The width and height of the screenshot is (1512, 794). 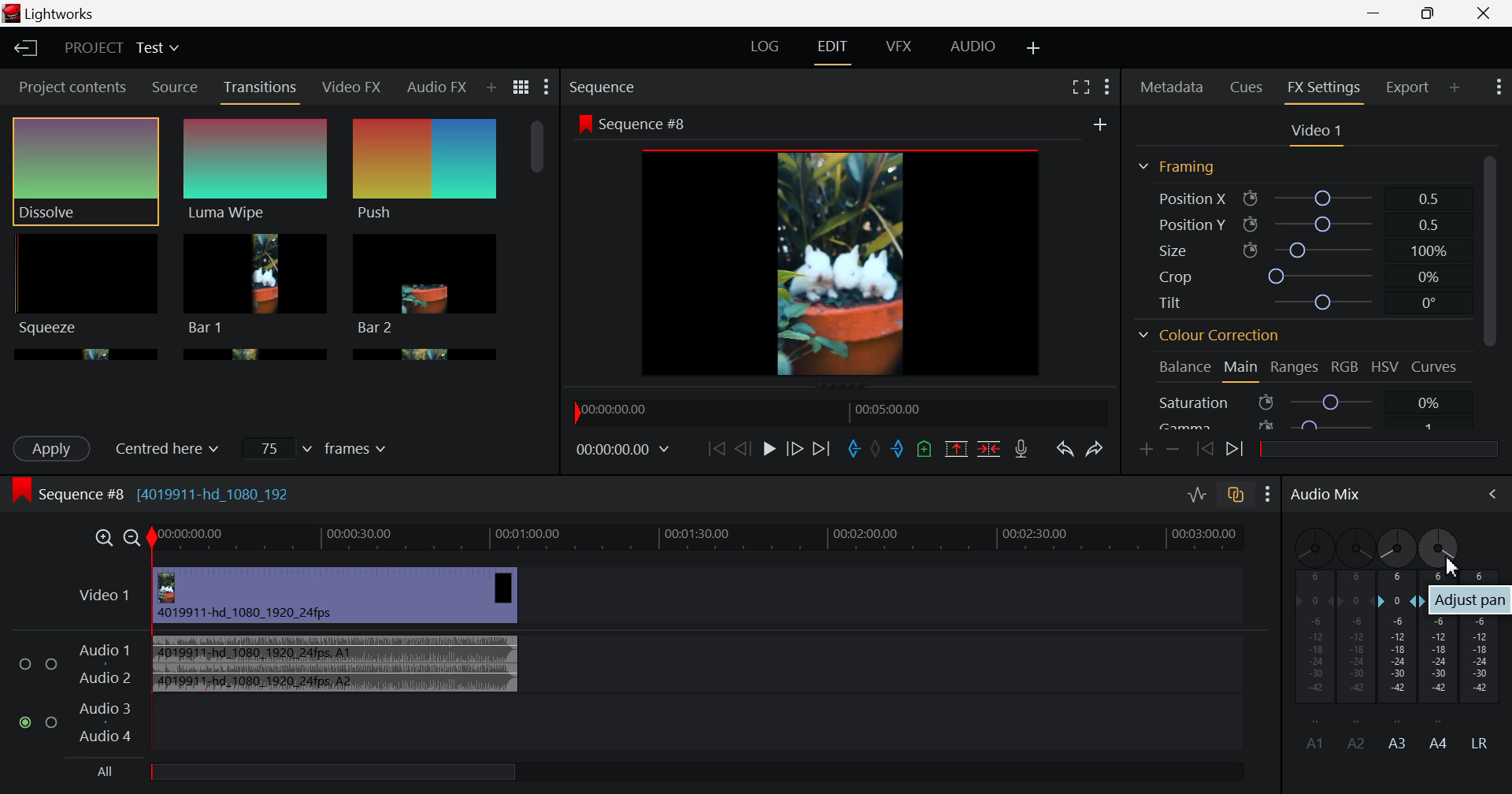 I want to click on Restore Down, so click(x=1374, y=14).